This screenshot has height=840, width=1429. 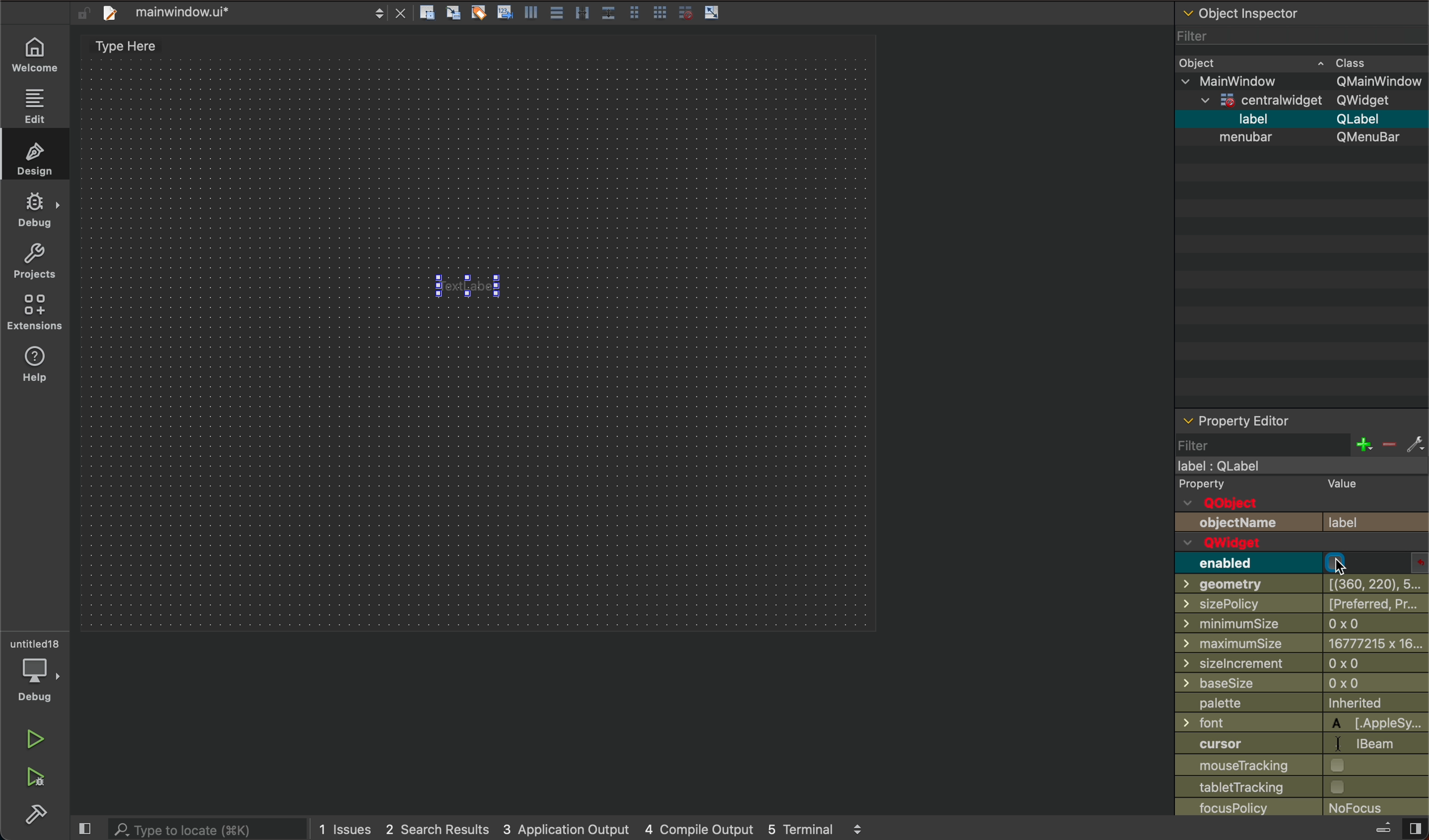 I want to click on enabled, so click(x=1244, y=563).